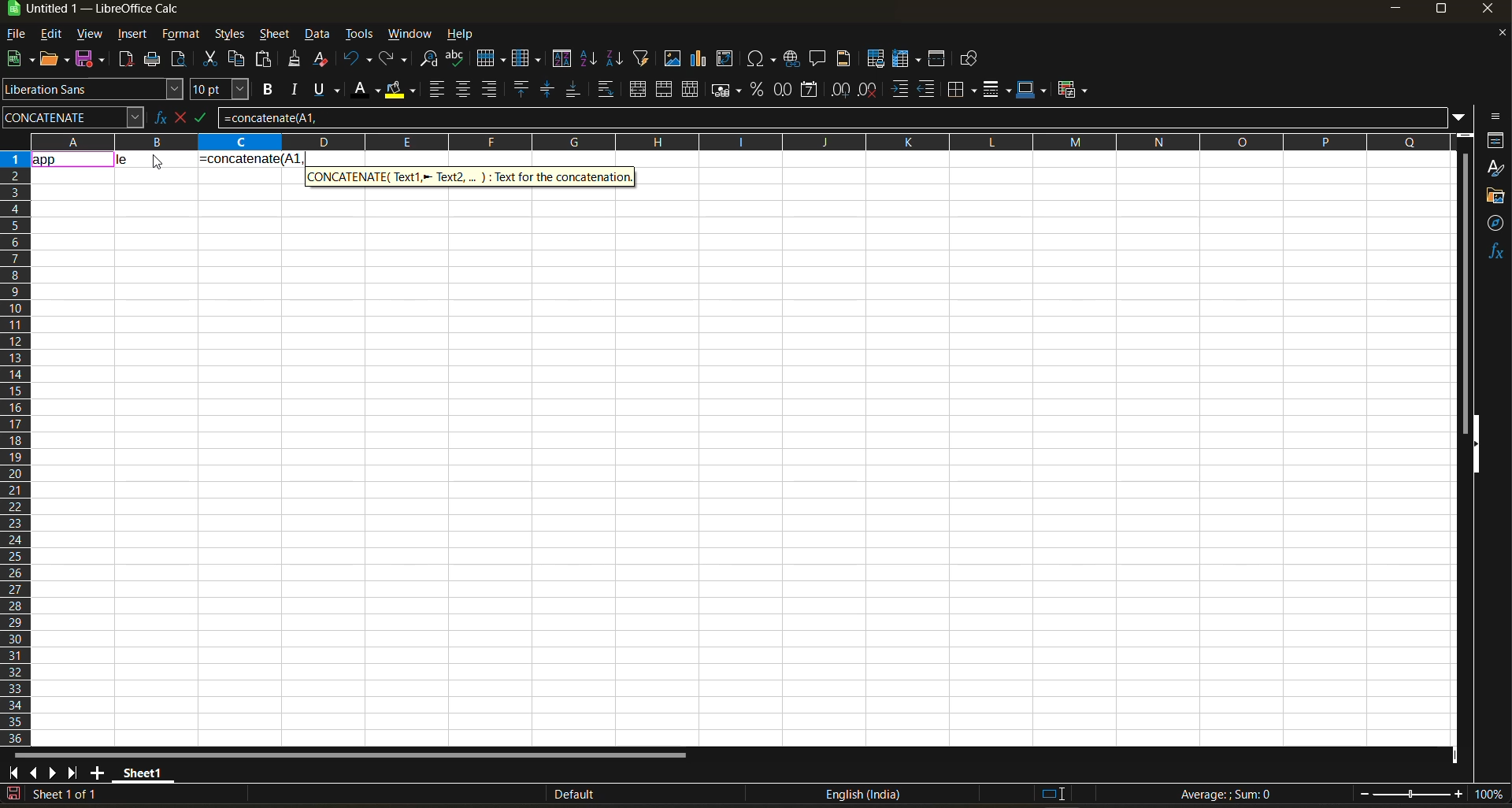  Describe the element at coordinates (324, 58) in the screenshot. I see `clear direct formatting` at that location.